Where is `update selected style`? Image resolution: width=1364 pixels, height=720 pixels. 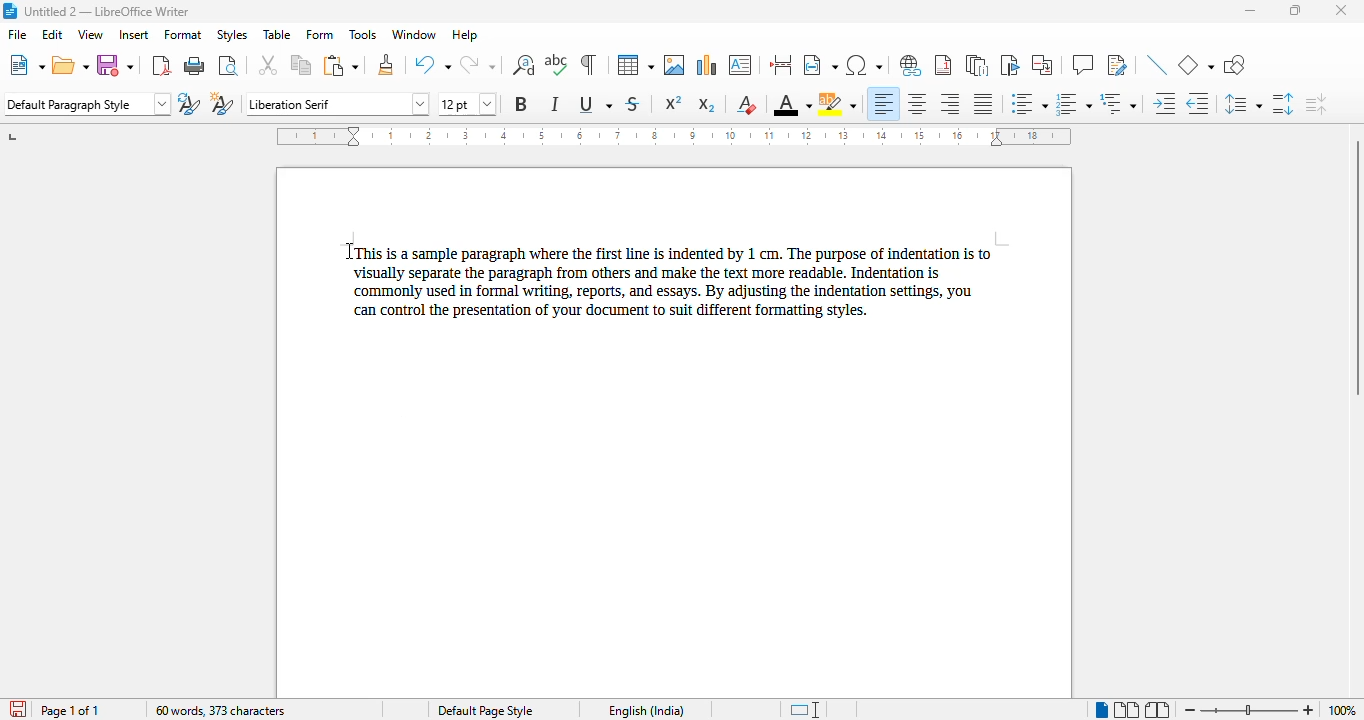 update selected style is located at coordinates (189, 103).